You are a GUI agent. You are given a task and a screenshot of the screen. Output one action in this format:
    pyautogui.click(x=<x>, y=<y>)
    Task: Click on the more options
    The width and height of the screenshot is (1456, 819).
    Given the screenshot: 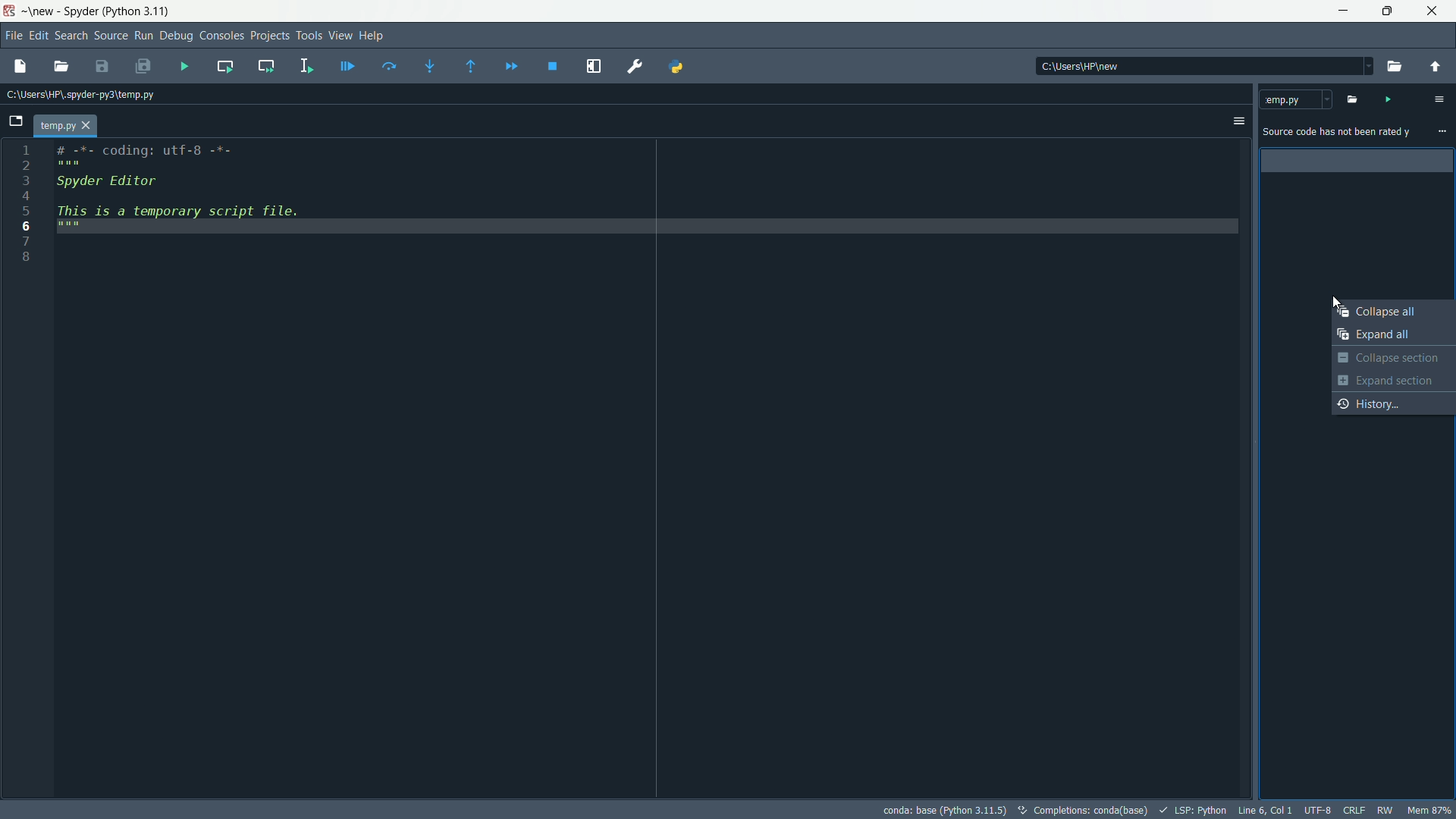 What is the action you would take?
    pyautogui.click(x=1442, y=132)
    